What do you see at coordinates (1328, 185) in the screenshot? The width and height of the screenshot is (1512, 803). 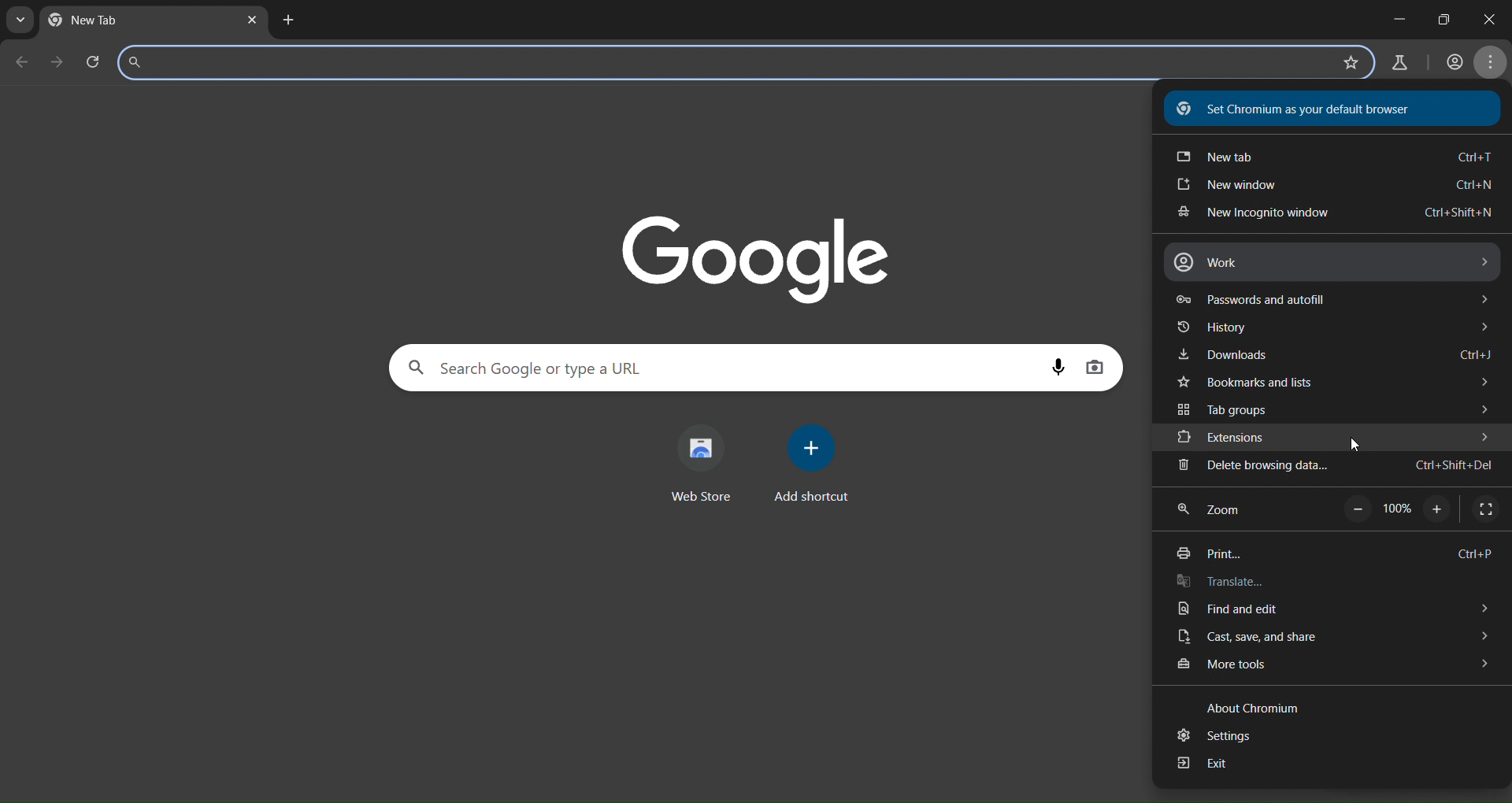 I see `new window` at bounding box center [1328, 185].